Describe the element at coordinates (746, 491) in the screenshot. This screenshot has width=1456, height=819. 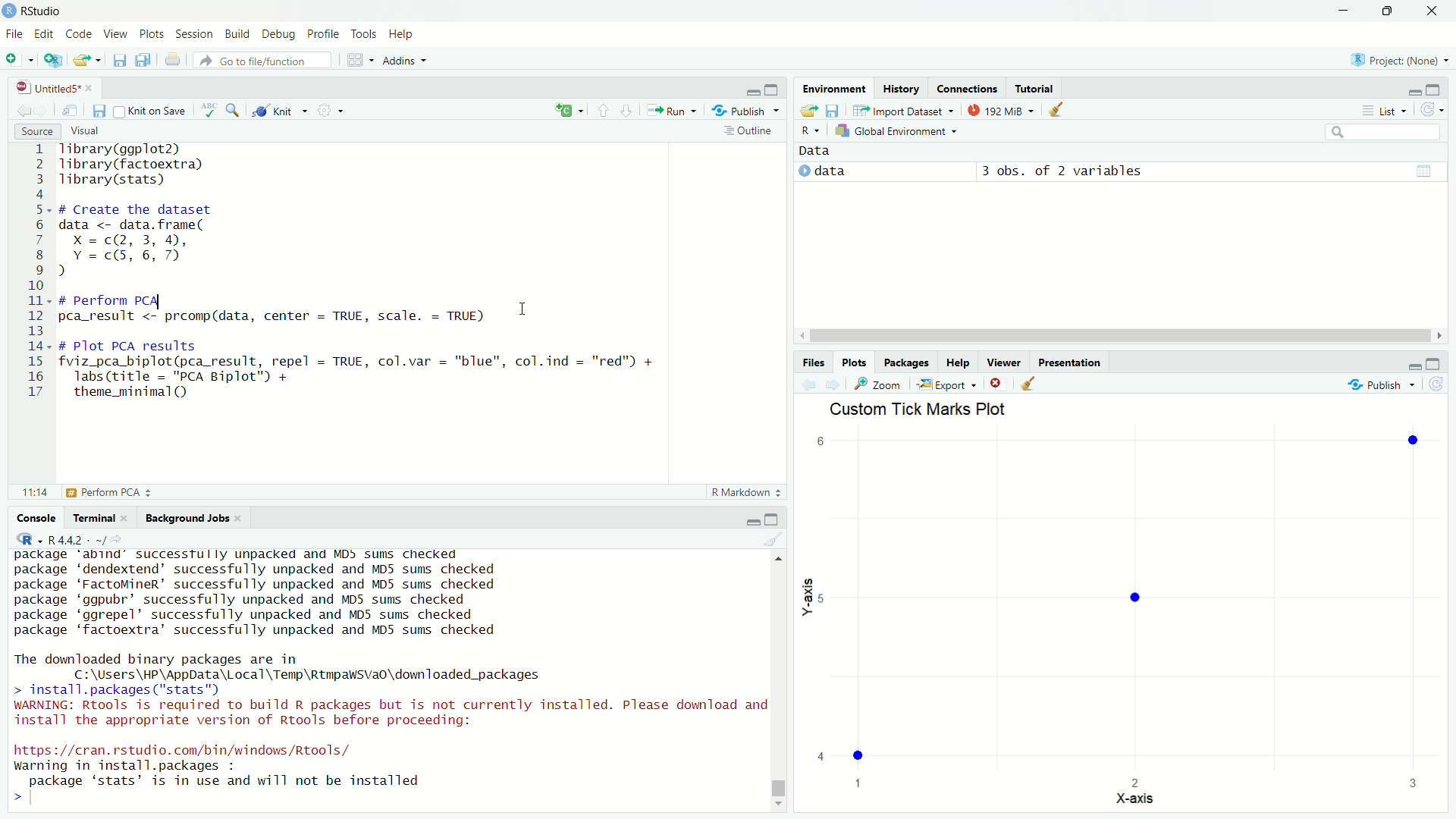
I see `r markdown` at that location.